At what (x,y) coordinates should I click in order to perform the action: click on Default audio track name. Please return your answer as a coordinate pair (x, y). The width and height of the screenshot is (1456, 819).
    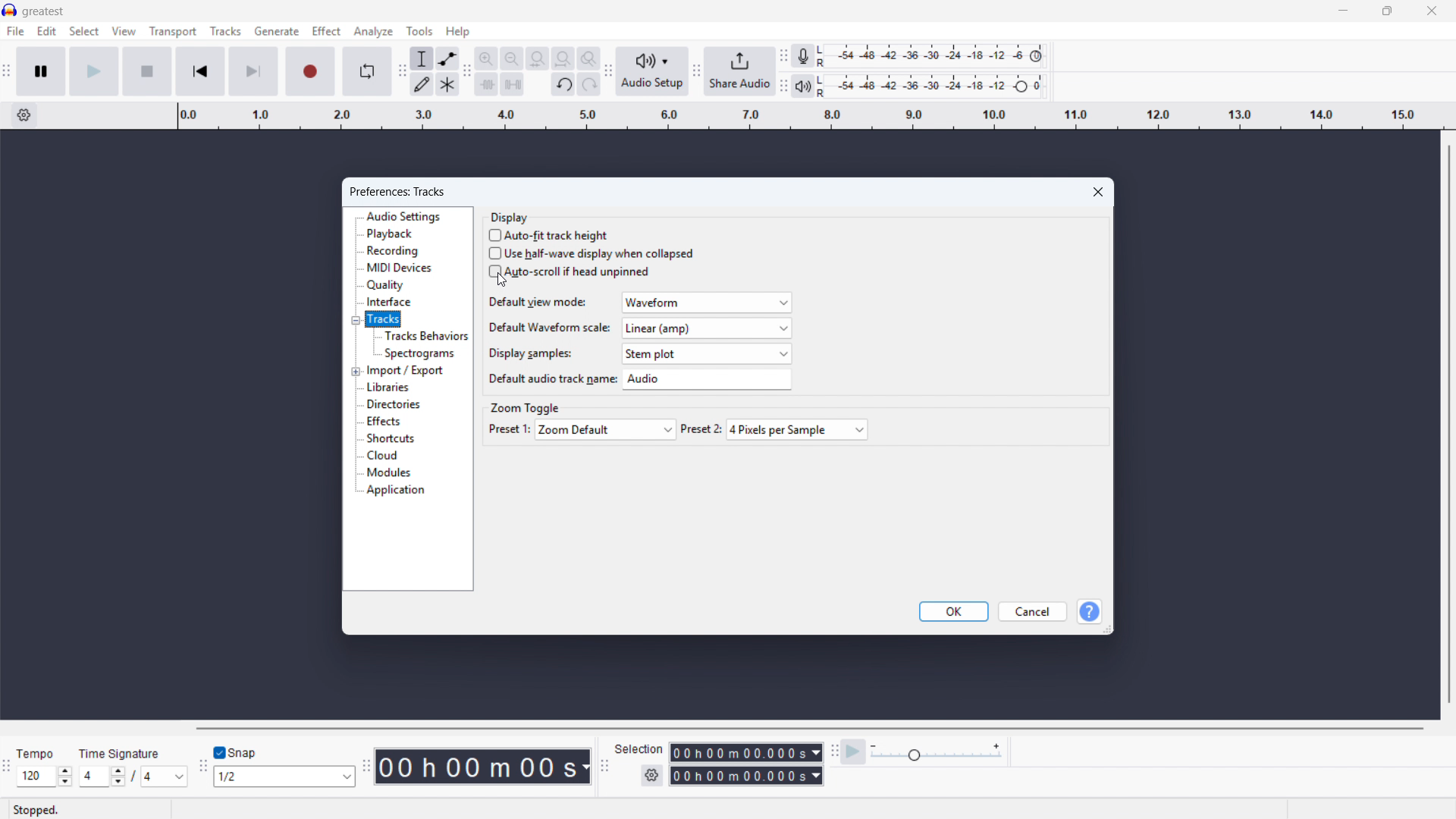
    Looking at the image, I should click on (552, 378).